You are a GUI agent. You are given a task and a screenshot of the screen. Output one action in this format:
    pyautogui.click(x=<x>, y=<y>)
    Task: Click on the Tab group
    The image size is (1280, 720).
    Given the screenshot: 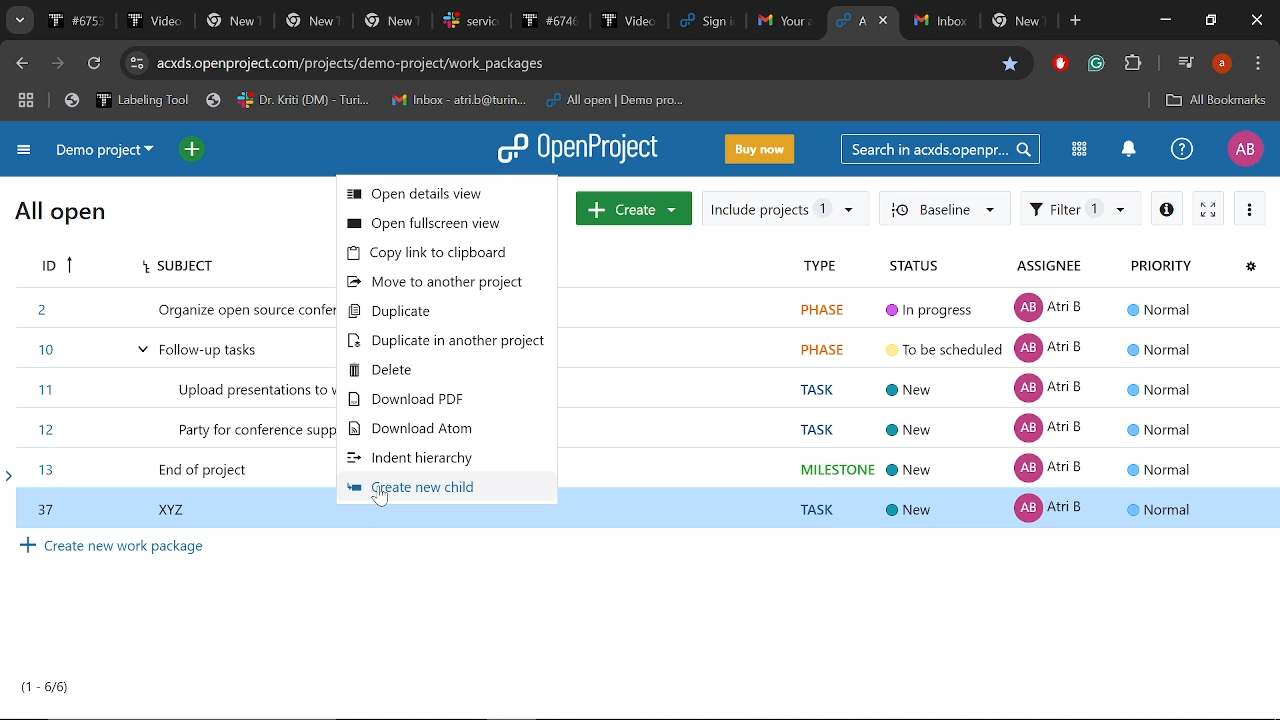 What is the action you would take?
    pyautogui.click(x=27, y=102)
    